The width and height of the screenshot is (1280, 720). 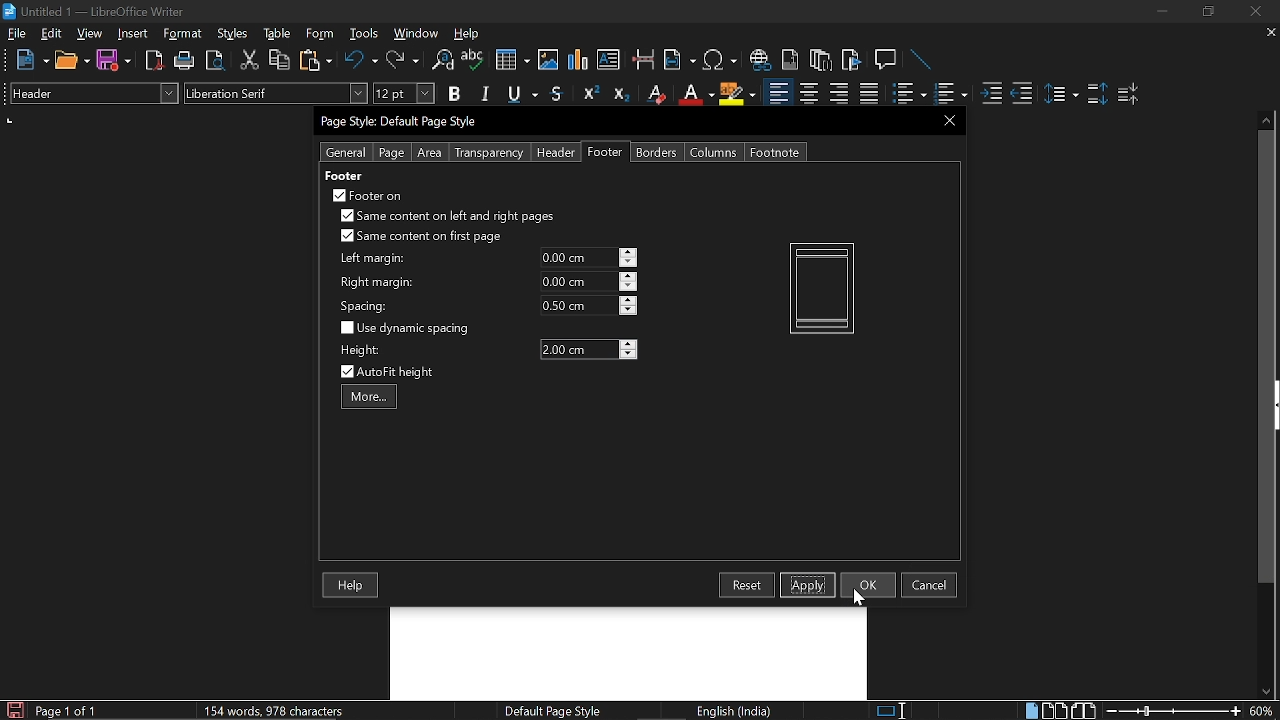 What do you see at coordinates (1130, 93) in the screenshot?
I see `decrease paragraph spacing Decrease paragraph spacing` at bounding box center [1130, 93].